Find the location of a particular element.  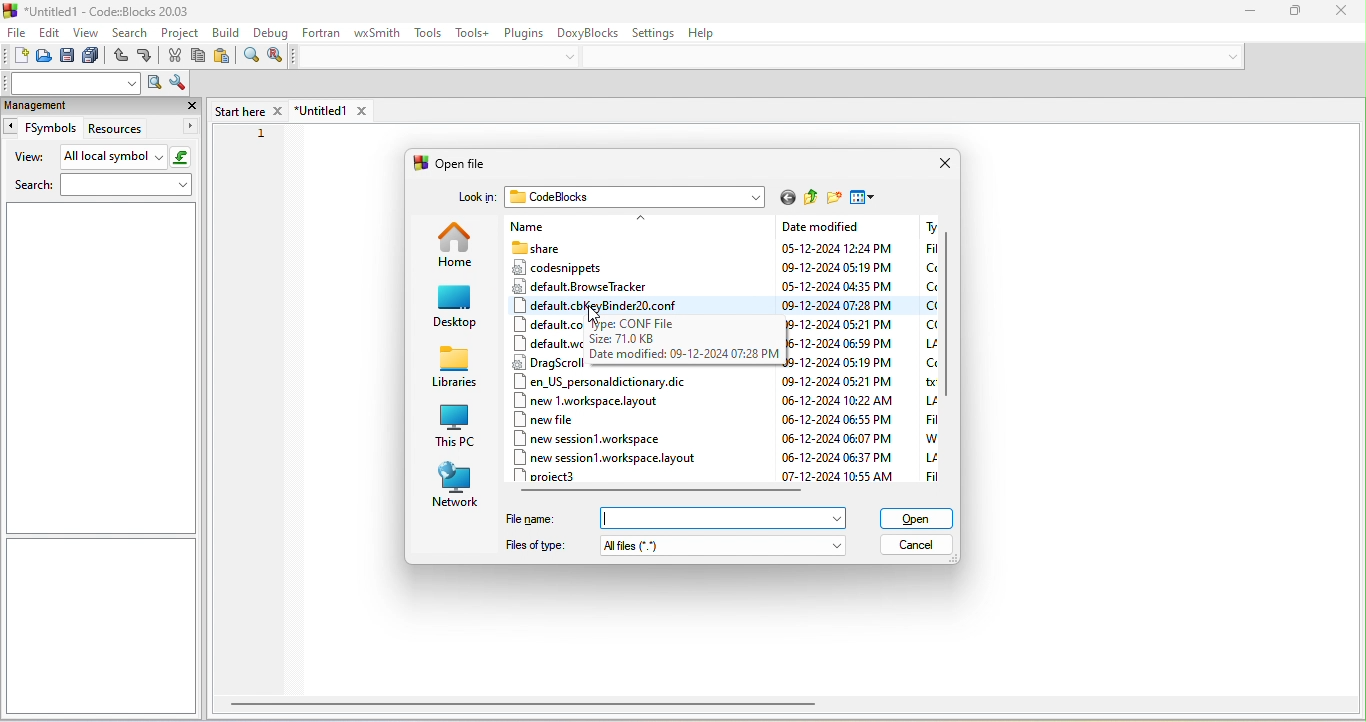

cut is located at coordinates (175, 55).